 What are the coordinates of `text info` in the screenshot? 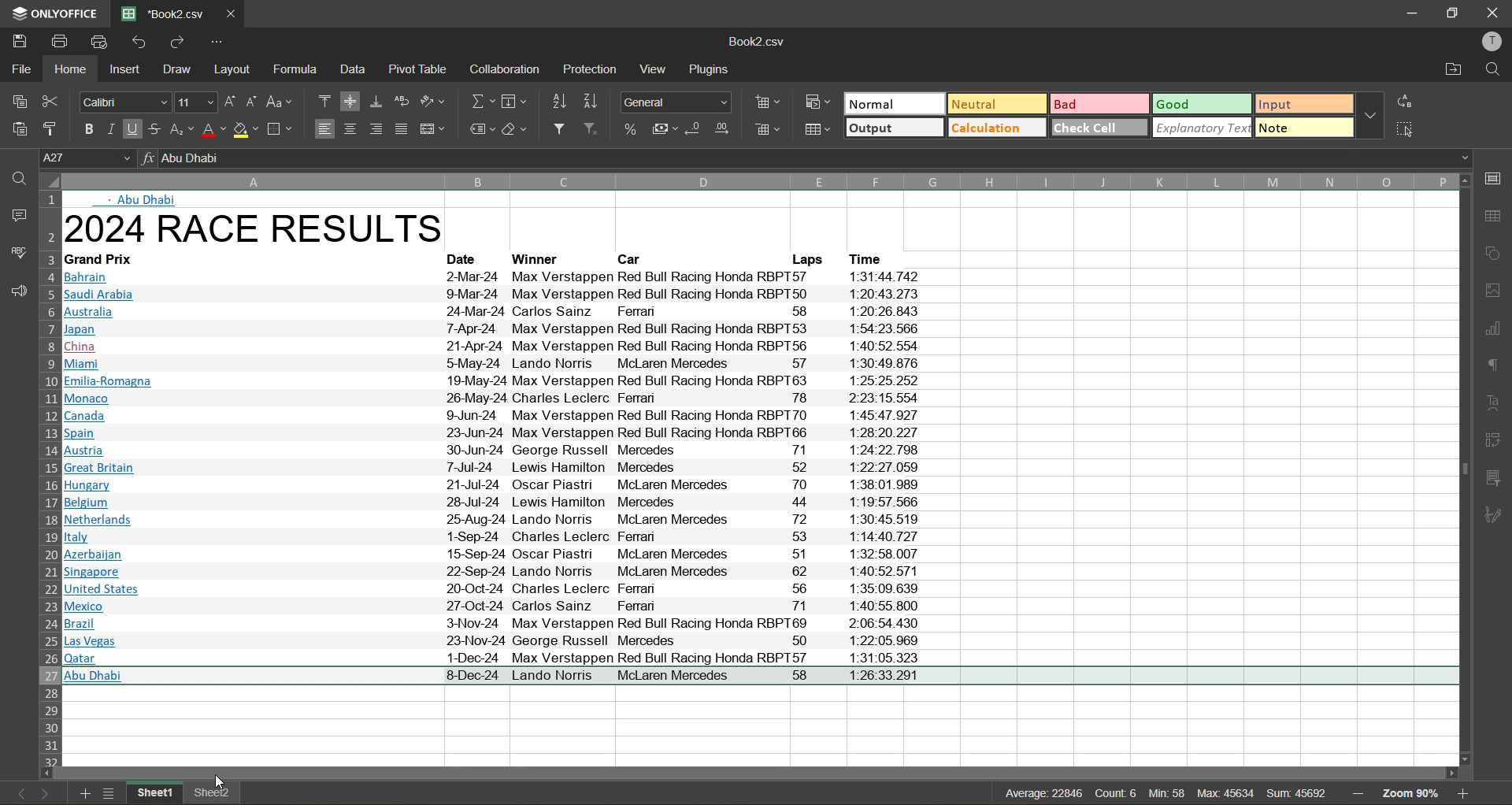 It's located at (500, 432).